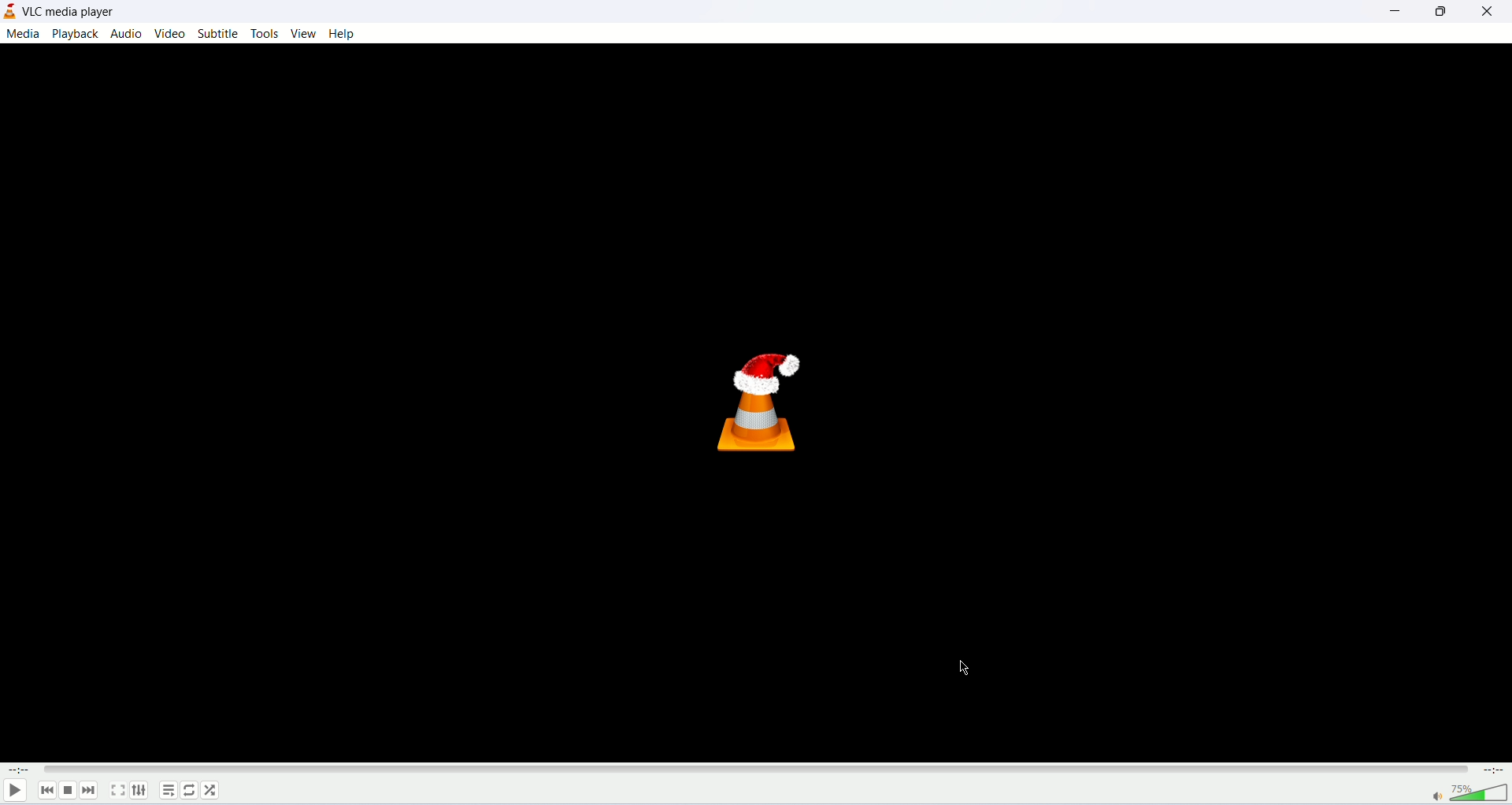  I want to click on loop, so click(191, 792).